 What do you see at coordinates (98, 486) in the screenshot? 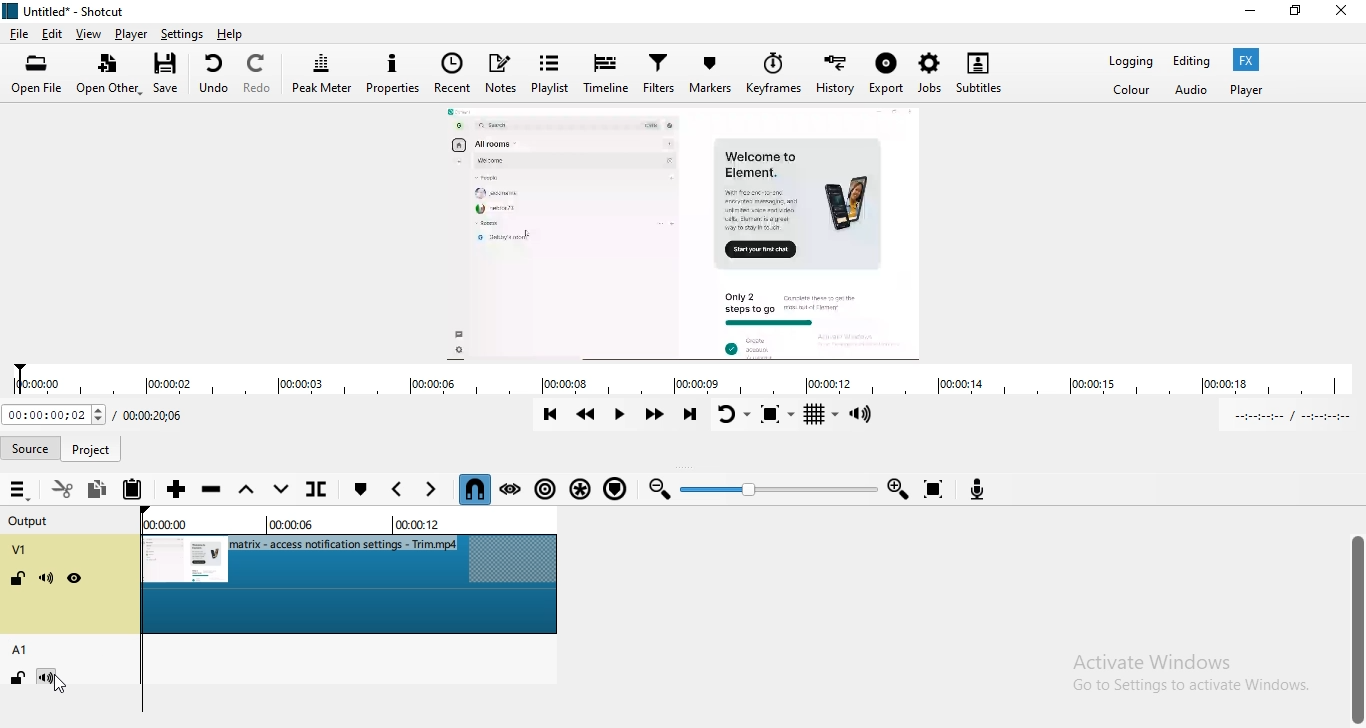
I see `Copy` at bounding box center [98, 486].